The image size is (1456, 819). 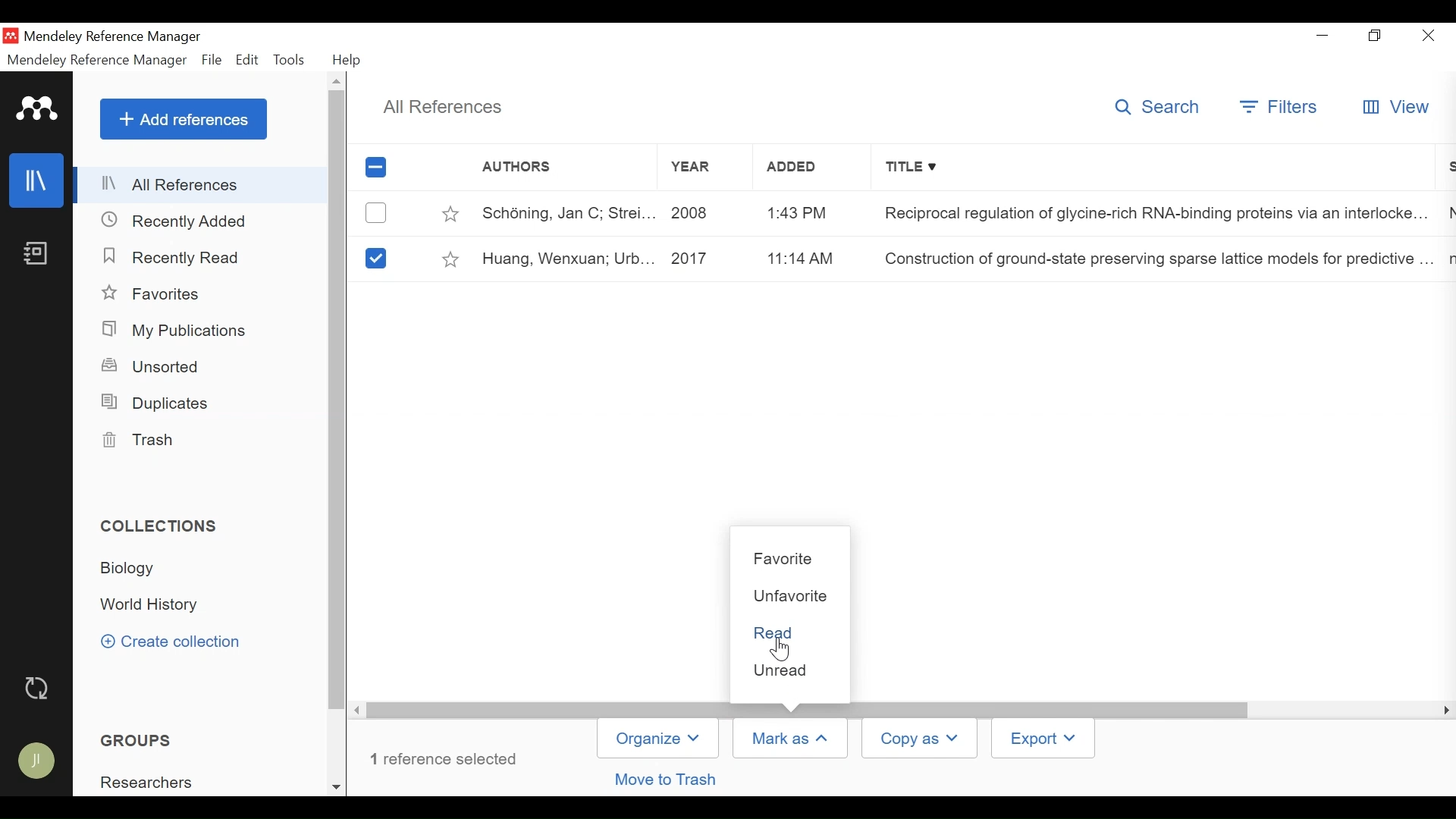 I want to click on GROUPS, so click(x=144, y=741).